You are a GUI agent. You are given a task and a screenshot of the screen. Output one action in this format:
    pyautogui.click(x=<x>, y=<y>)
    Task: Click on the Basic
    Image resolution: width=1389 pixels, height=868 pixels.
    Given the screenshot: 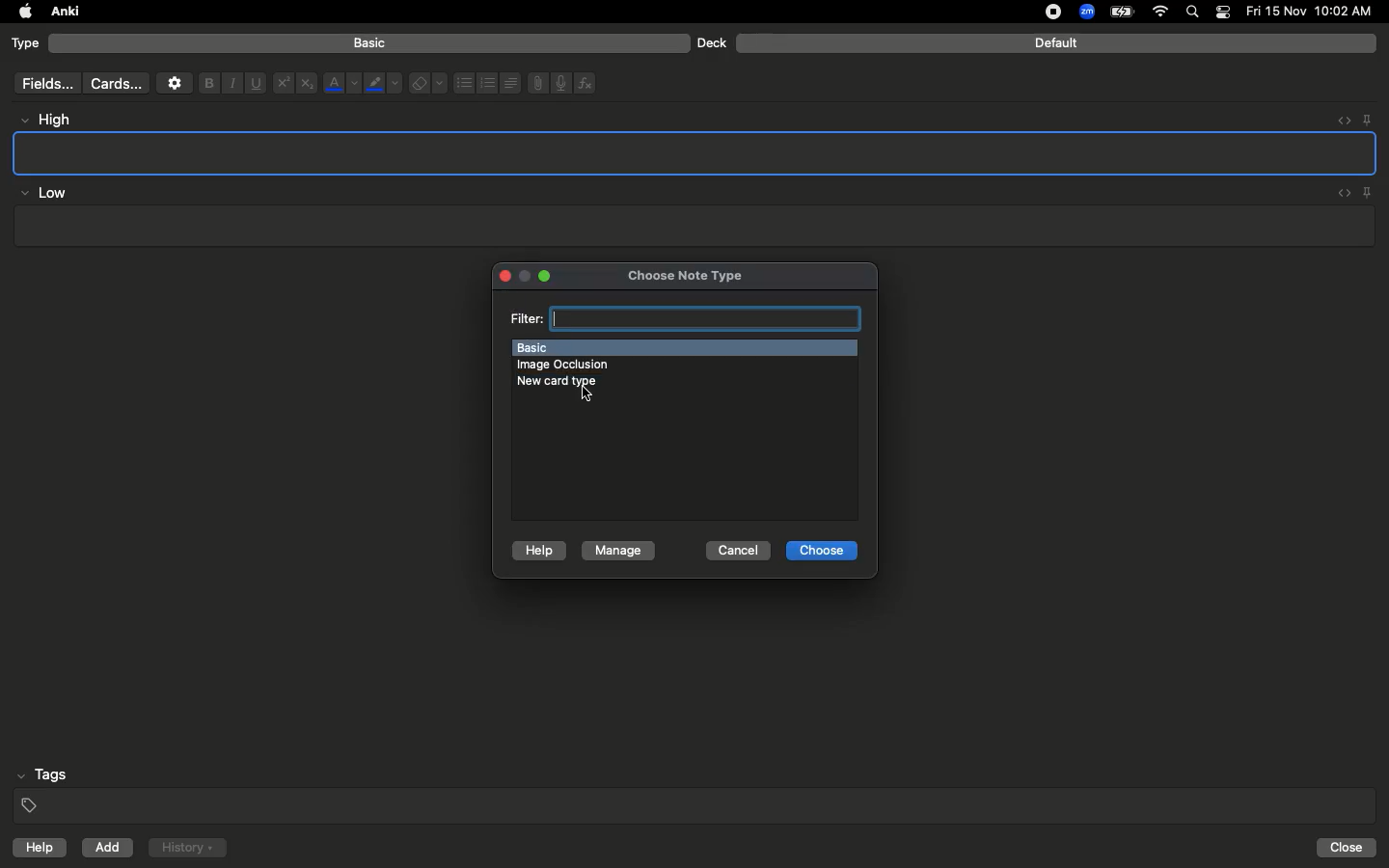 What is the action you would take?
    pyautogui.click(x=370, y=43)
    